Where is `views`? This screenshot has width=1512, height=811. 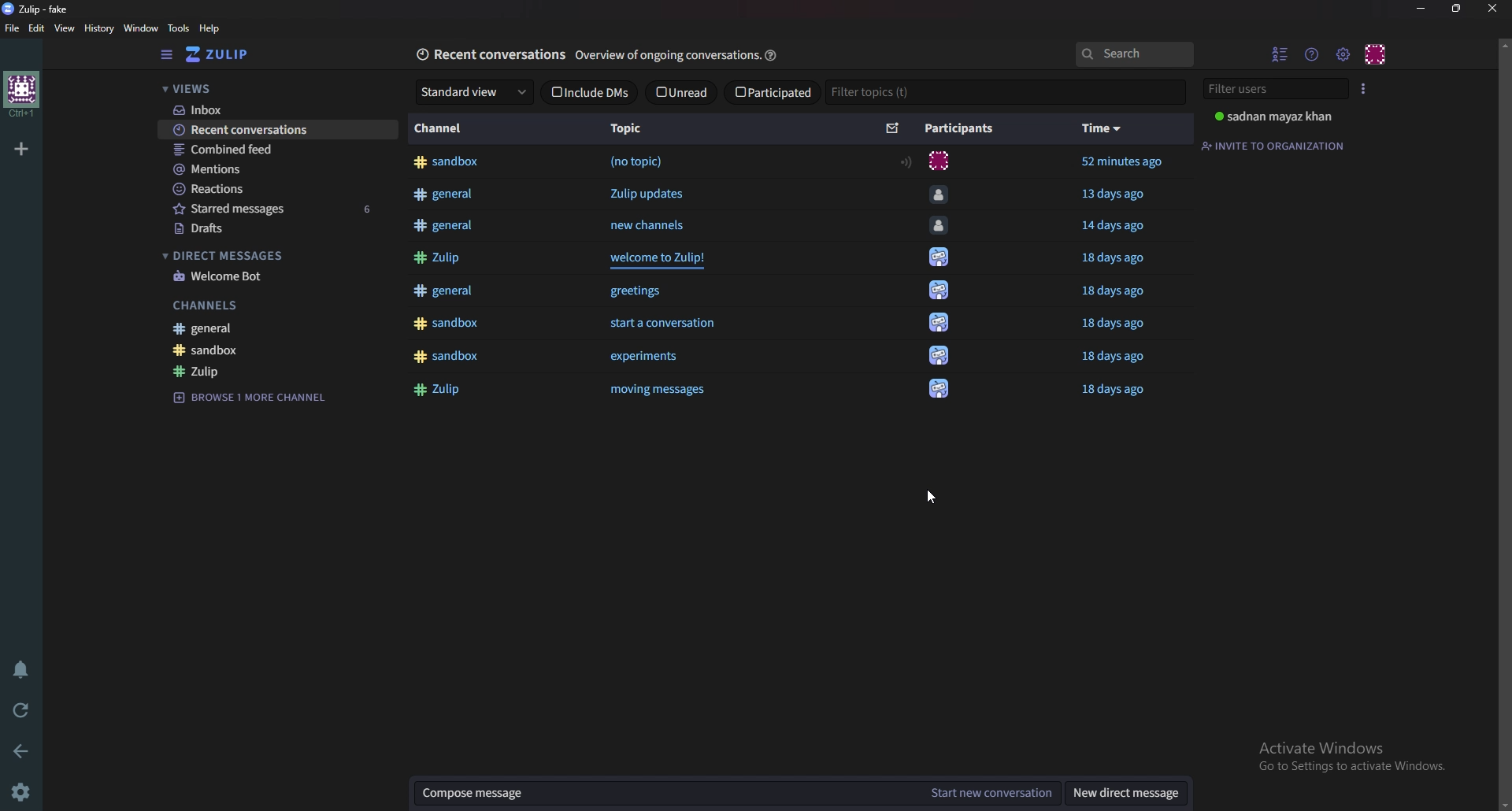
views is located at coordinates (270, 88).